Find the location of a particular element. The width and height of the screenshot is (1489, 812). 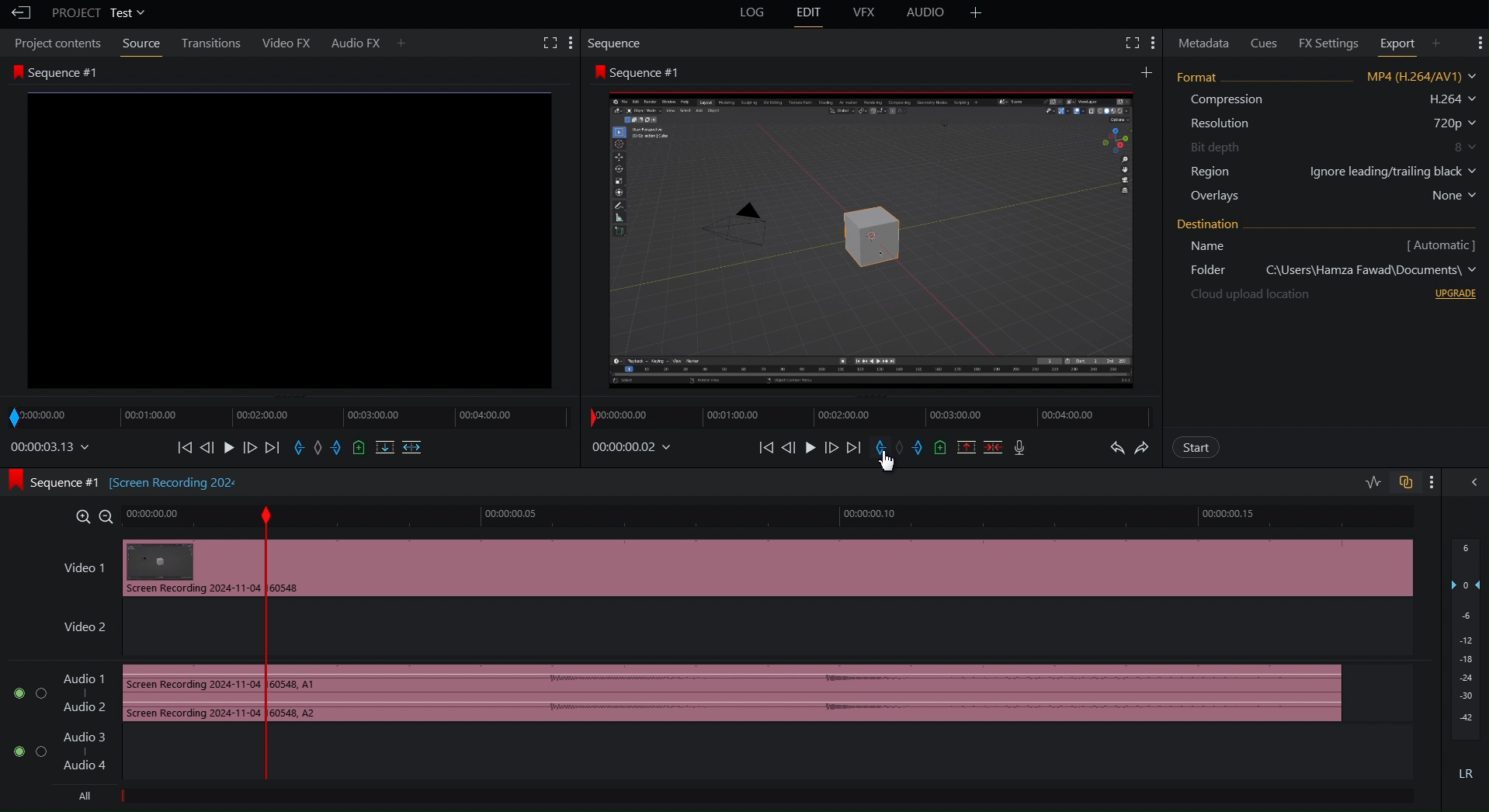

Audio FX is located at coordinates (368, 42).